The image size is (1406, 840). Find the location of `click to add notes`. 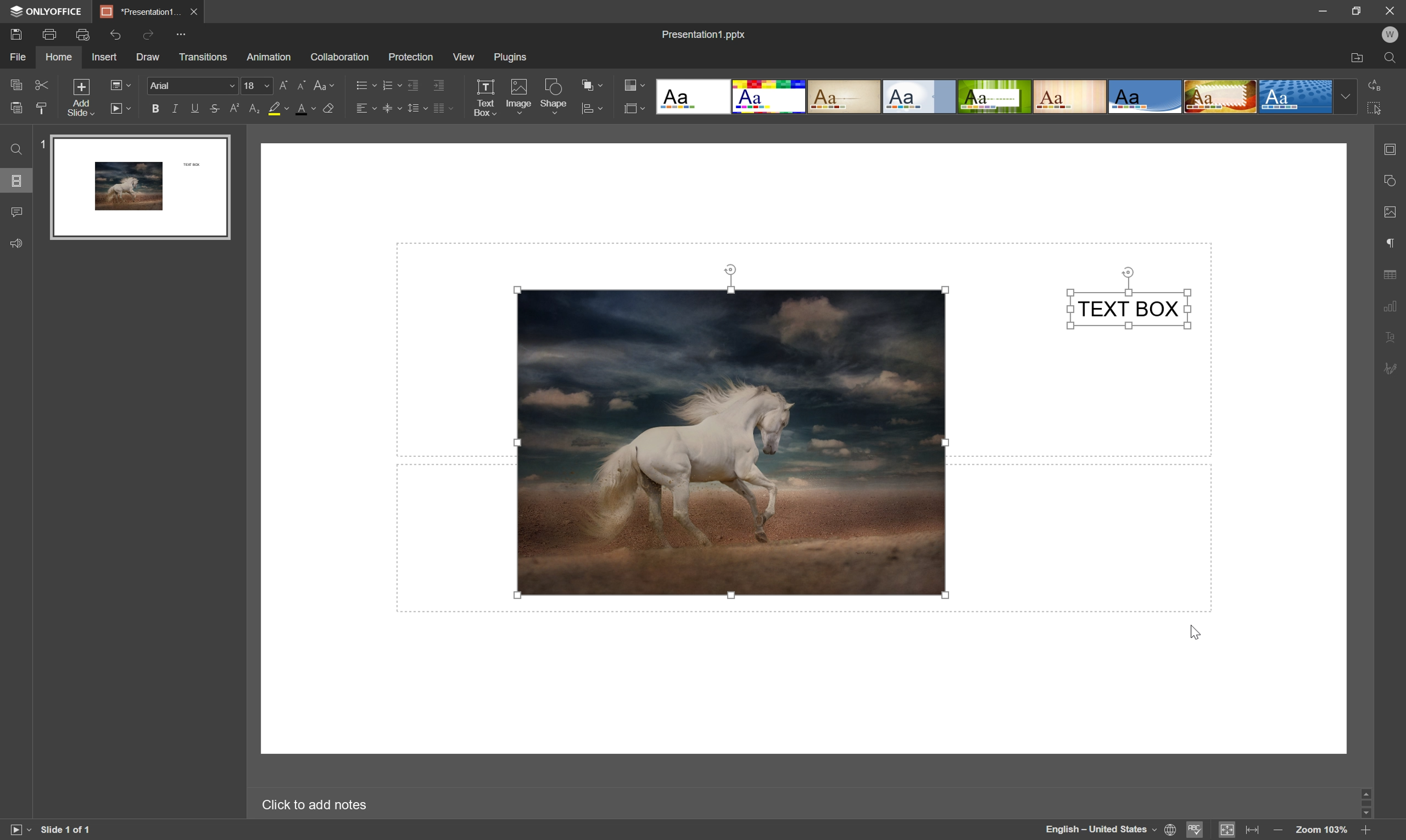

click to add notes is located at coordinates (314, 806).